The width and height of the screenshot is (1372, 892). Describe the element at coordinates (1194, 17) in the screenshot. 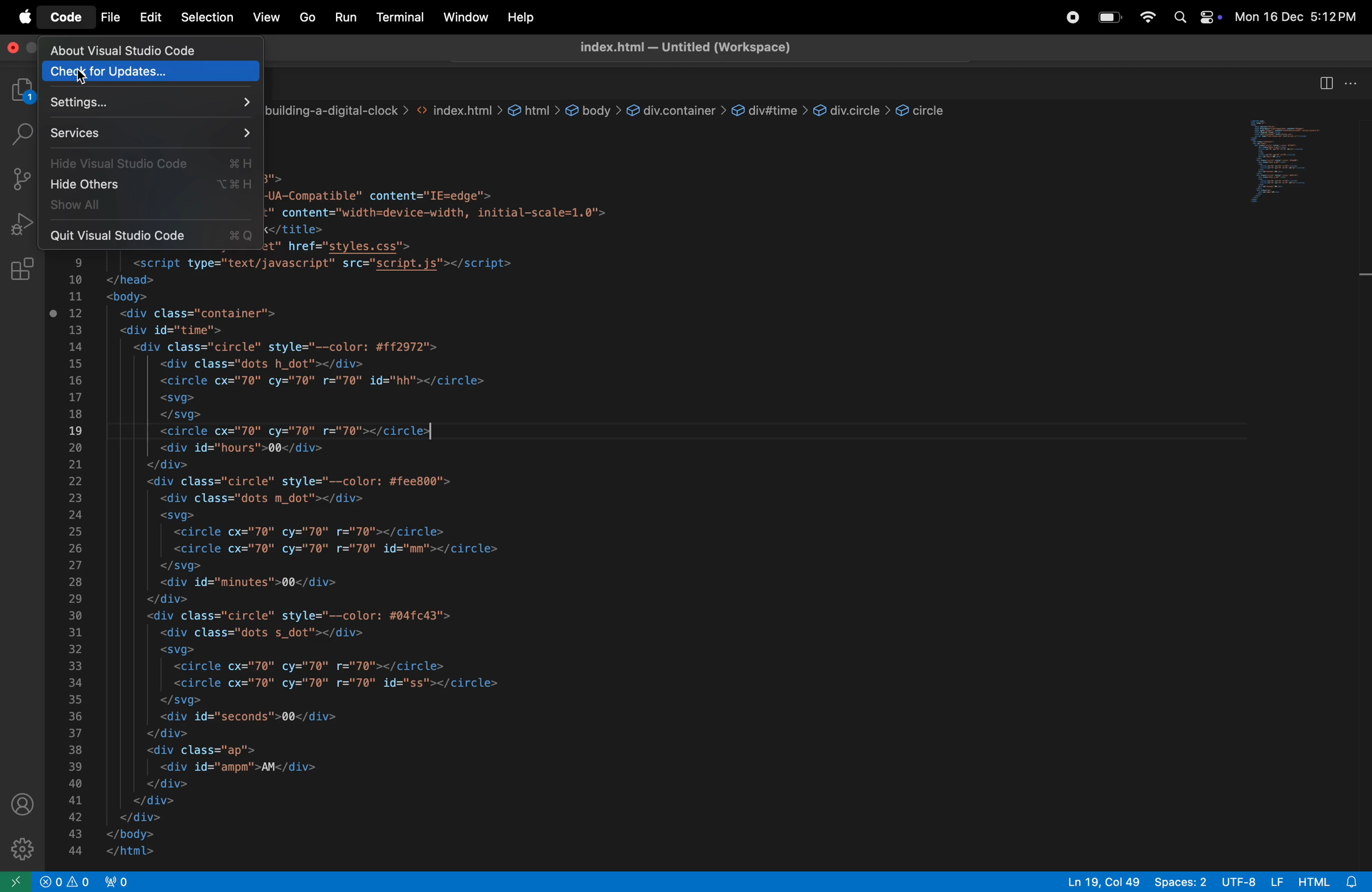

I see `apple widgets` at that location.